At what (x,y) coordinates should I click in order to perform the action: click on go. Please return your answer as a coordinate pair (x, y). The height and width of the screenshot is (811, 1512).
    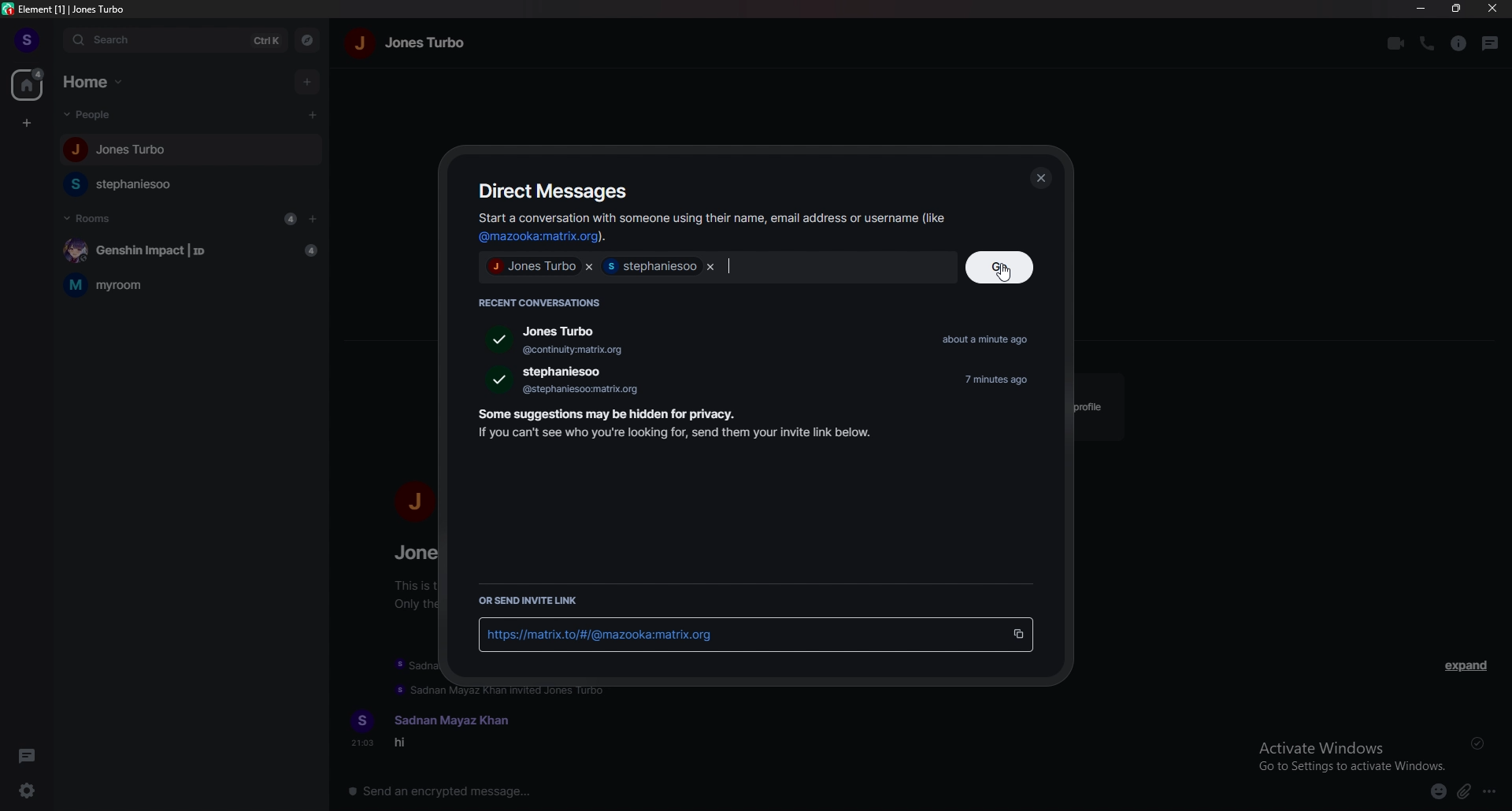
    Looking at the image, I should click on (1003, 268).